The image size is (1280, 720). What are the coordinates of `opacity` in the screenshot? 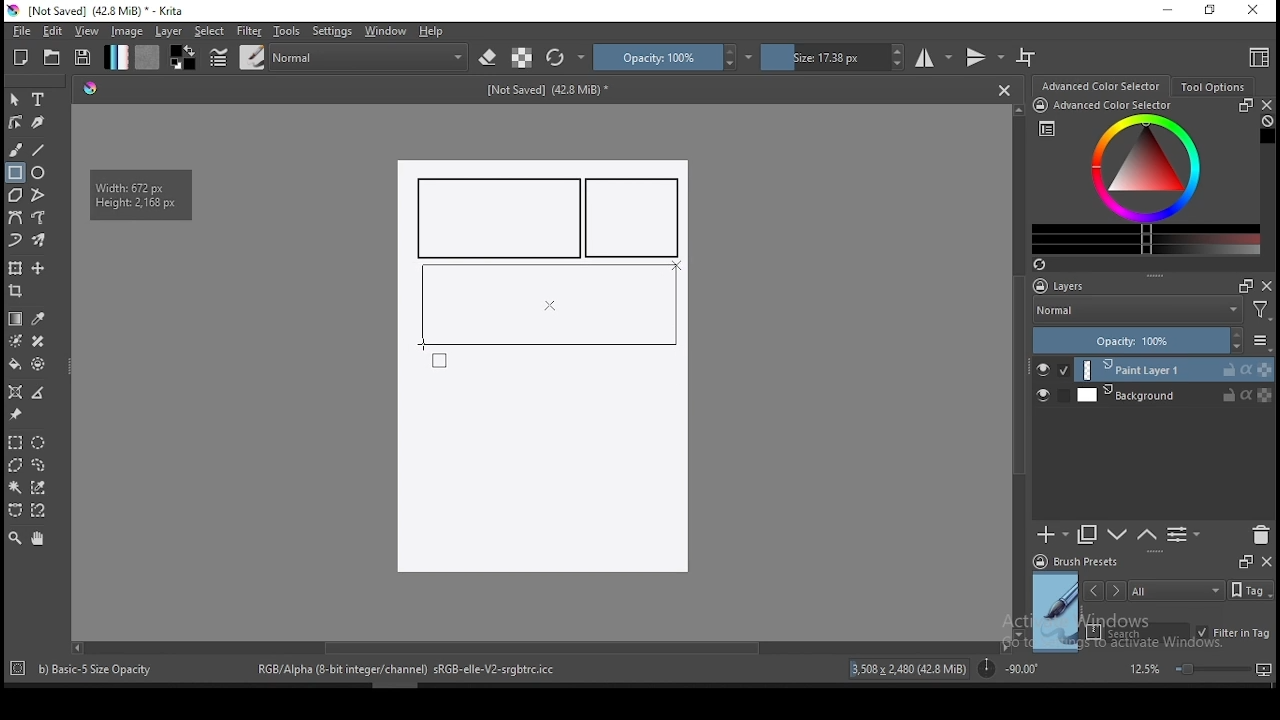 It's located at (673, 57).